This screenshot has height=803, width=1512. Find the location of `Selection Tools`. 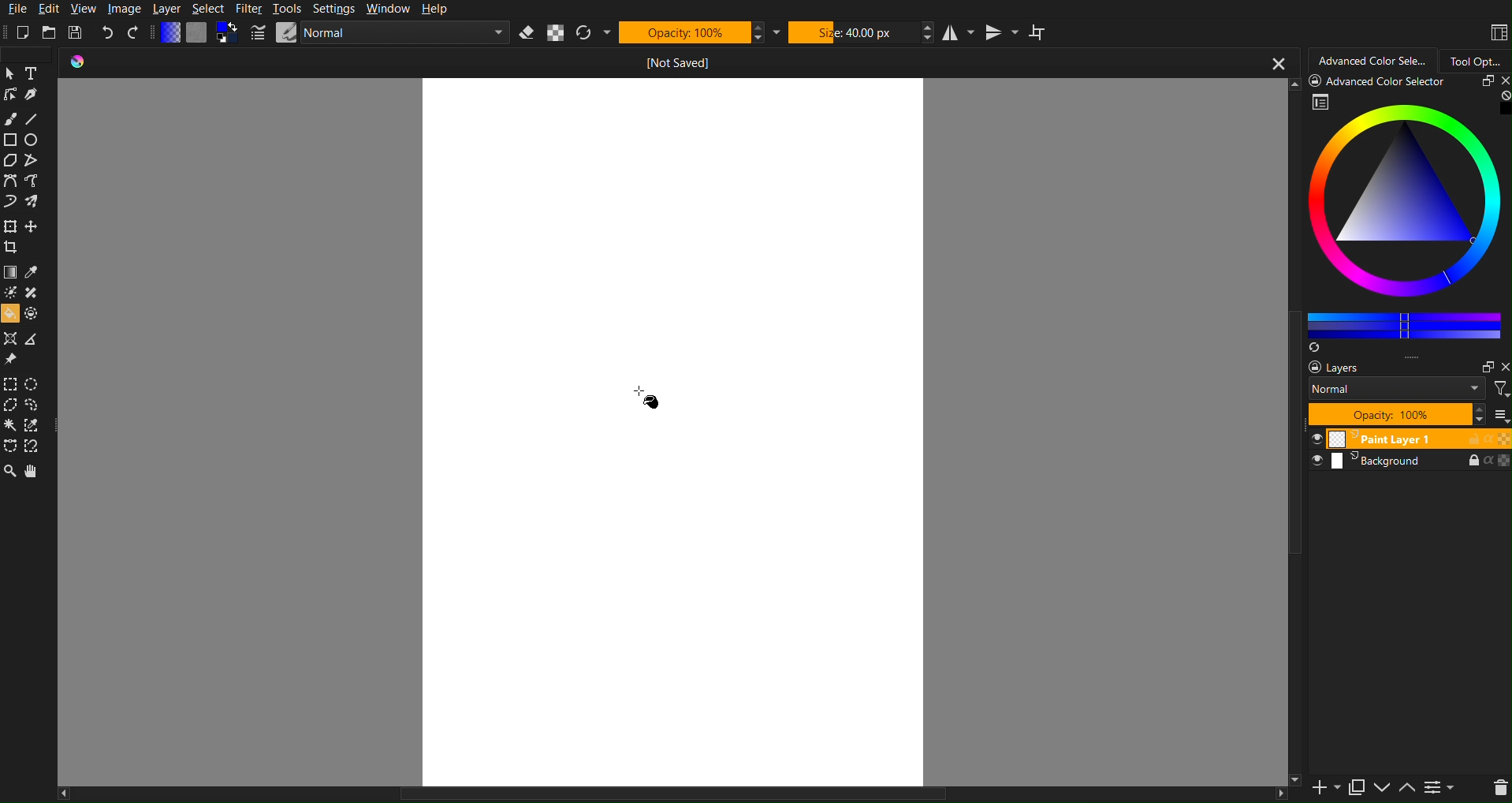

Selection Tools is located at coordinates (28, 237).